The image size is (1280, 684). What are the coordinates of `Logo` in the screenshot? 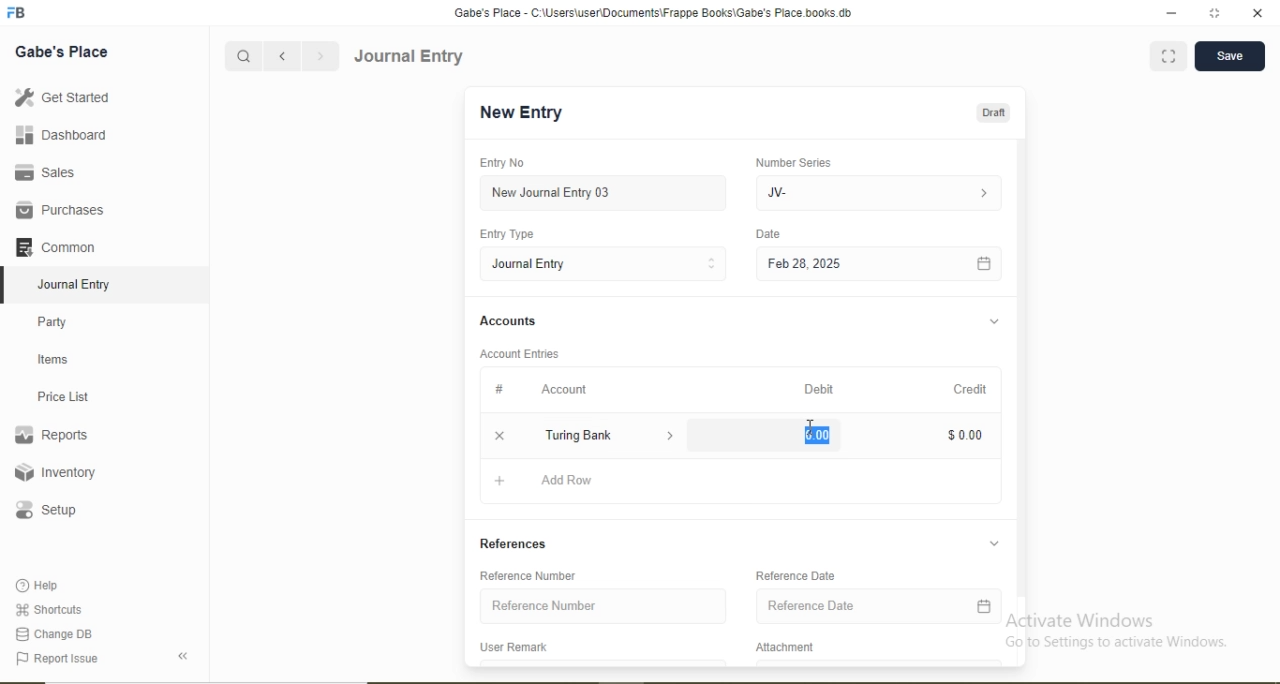 It's located at (17, 13).